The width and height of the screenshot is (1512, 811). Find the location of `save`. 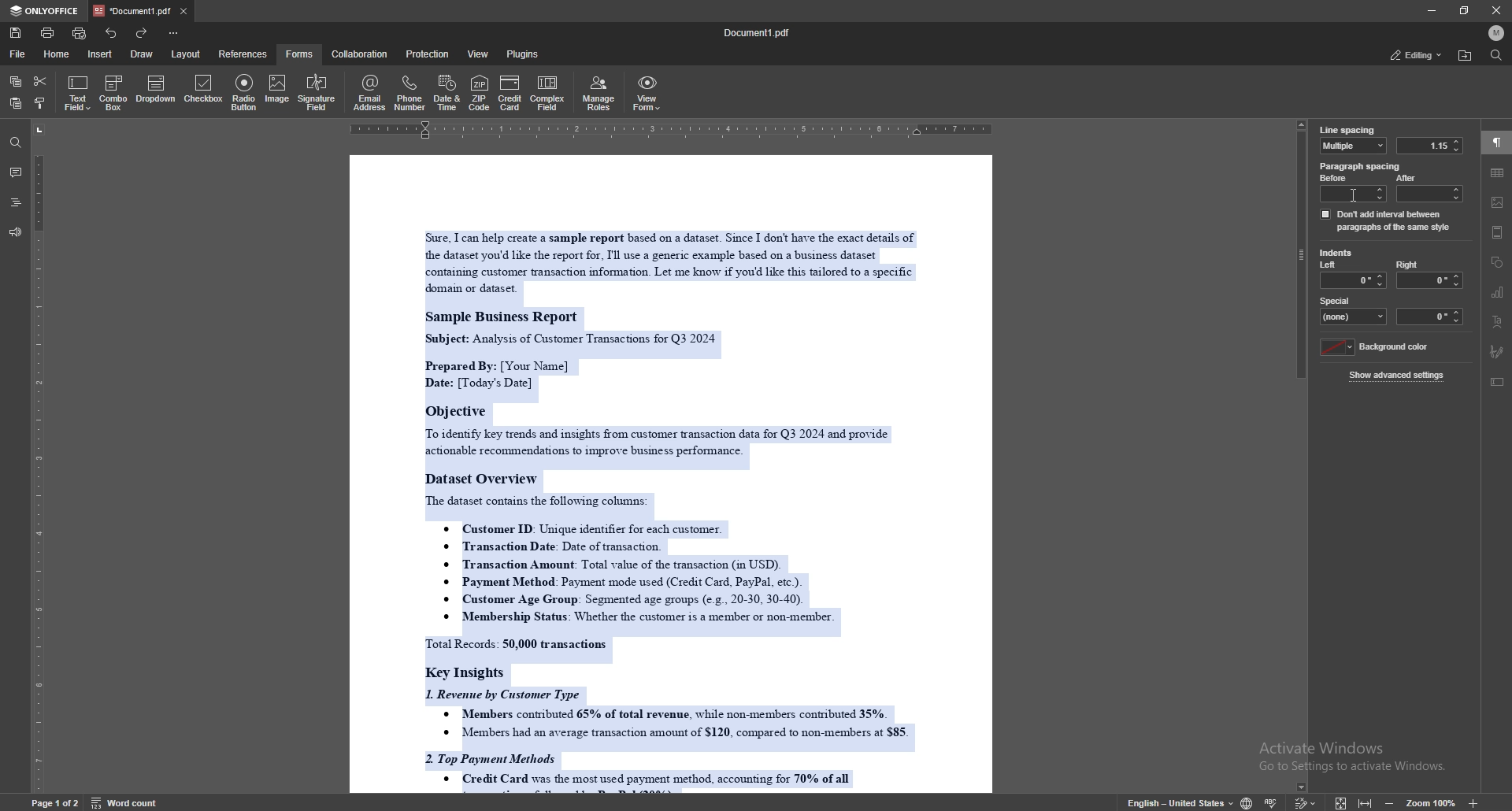

save is located at coordinates (16, 33).